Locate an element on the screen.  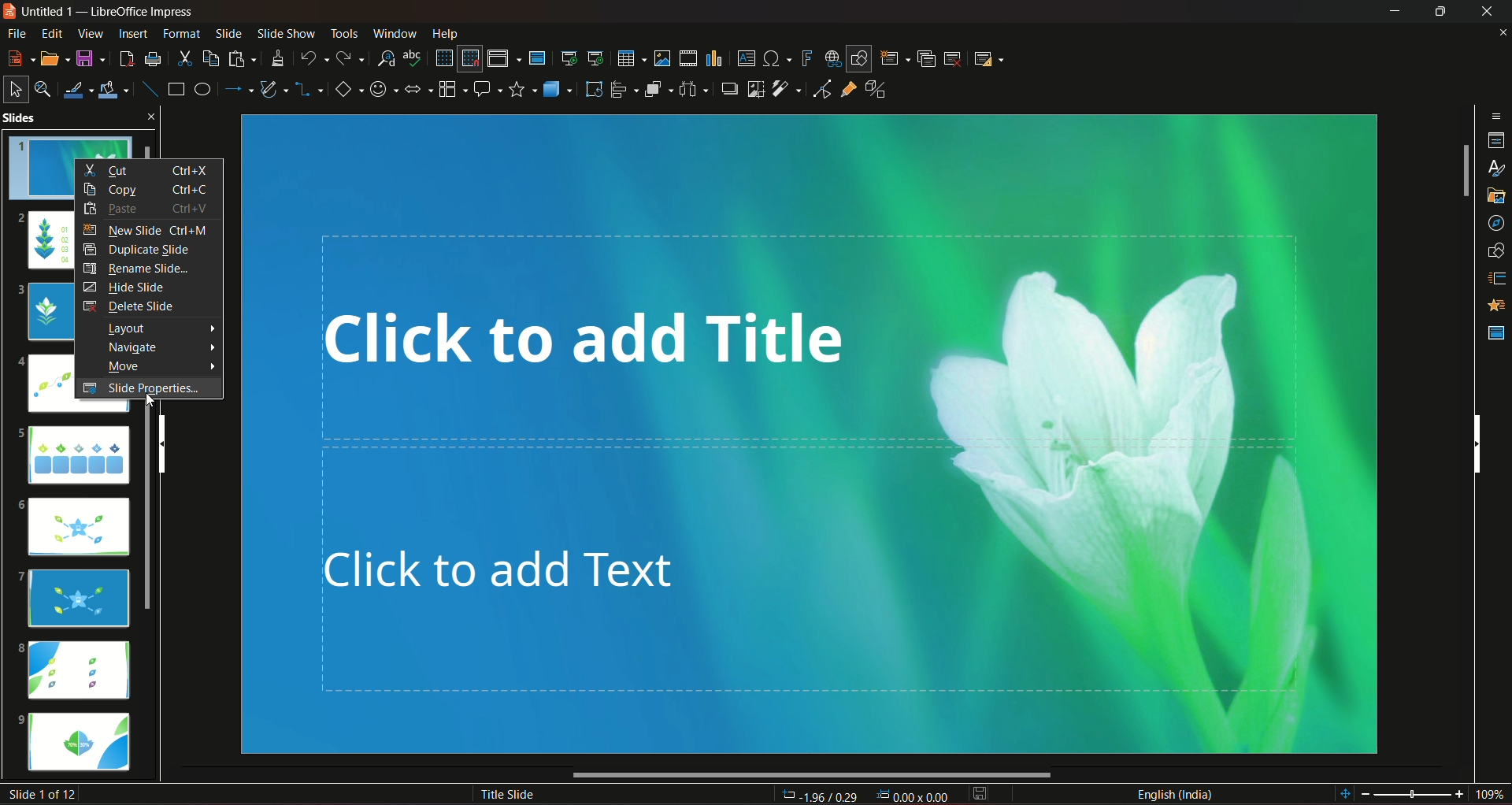
slide delete is located at coordinates (954, 57).